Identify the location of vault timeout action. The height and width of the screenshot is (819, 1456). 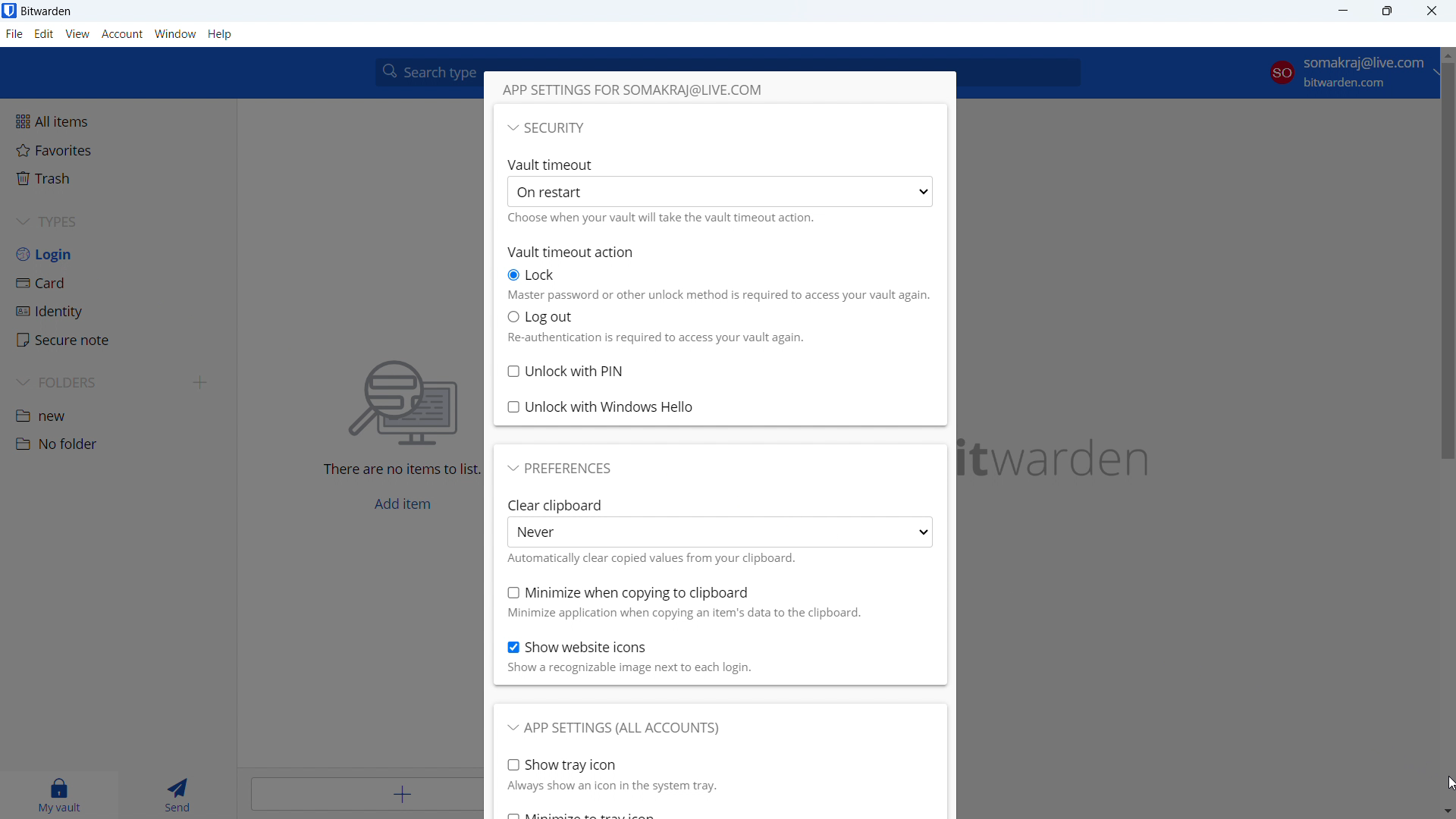
(572, 251).